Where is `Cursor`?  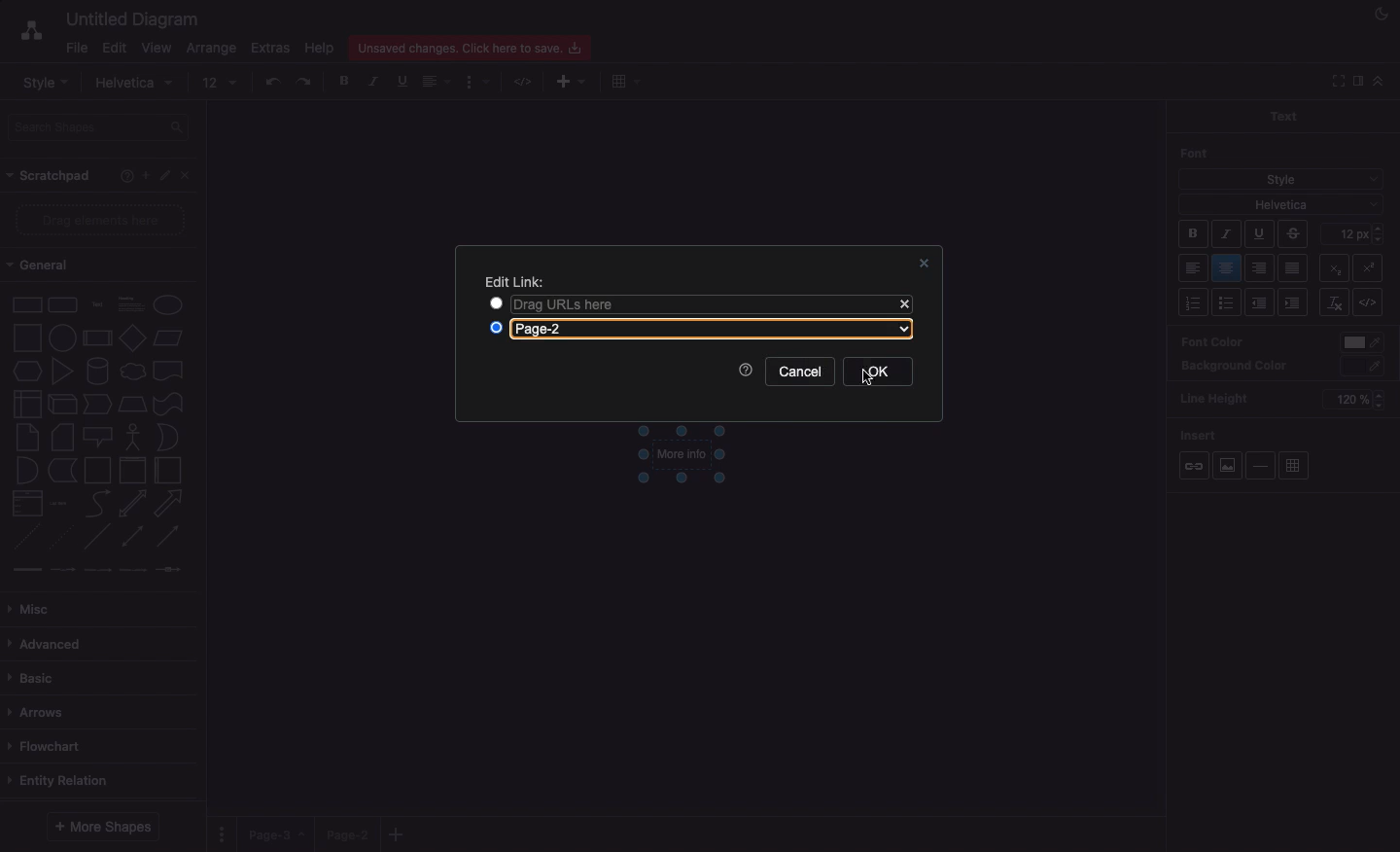 Cursor is located at coordinates (857, 373).